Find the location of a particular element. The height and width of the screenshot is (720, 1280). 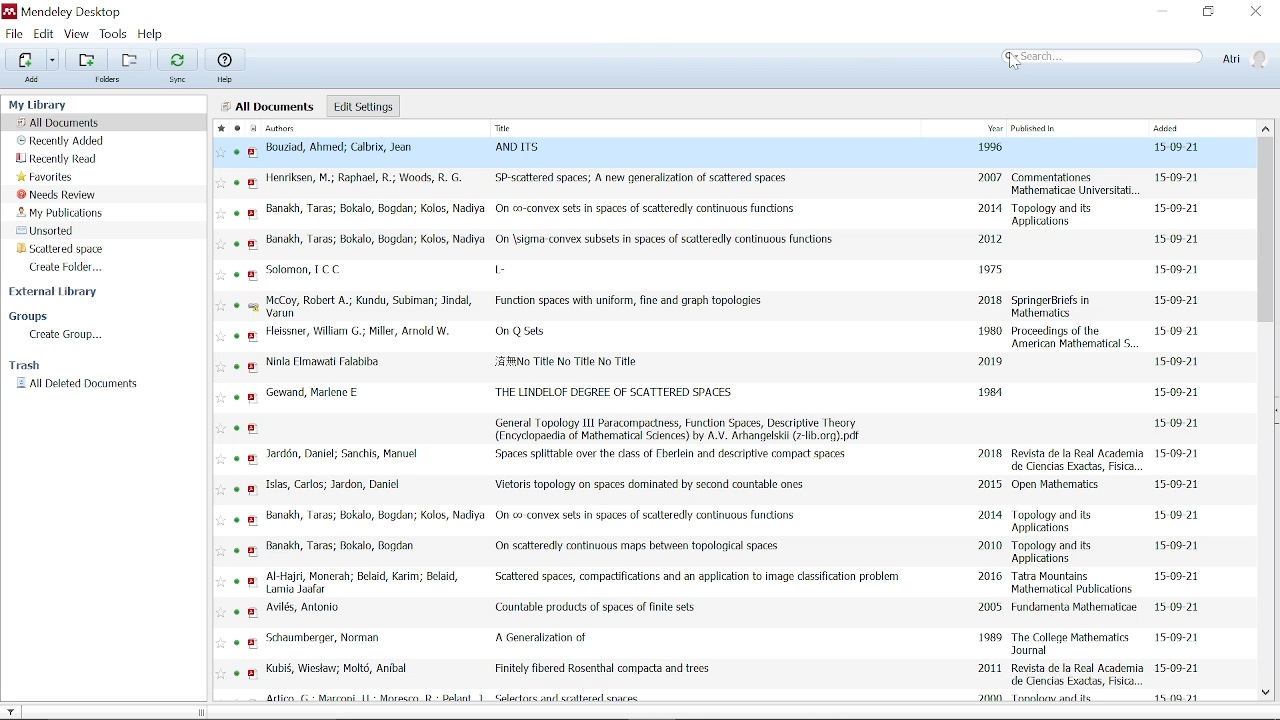

Add to favorite is located at coordinates (221, 305).